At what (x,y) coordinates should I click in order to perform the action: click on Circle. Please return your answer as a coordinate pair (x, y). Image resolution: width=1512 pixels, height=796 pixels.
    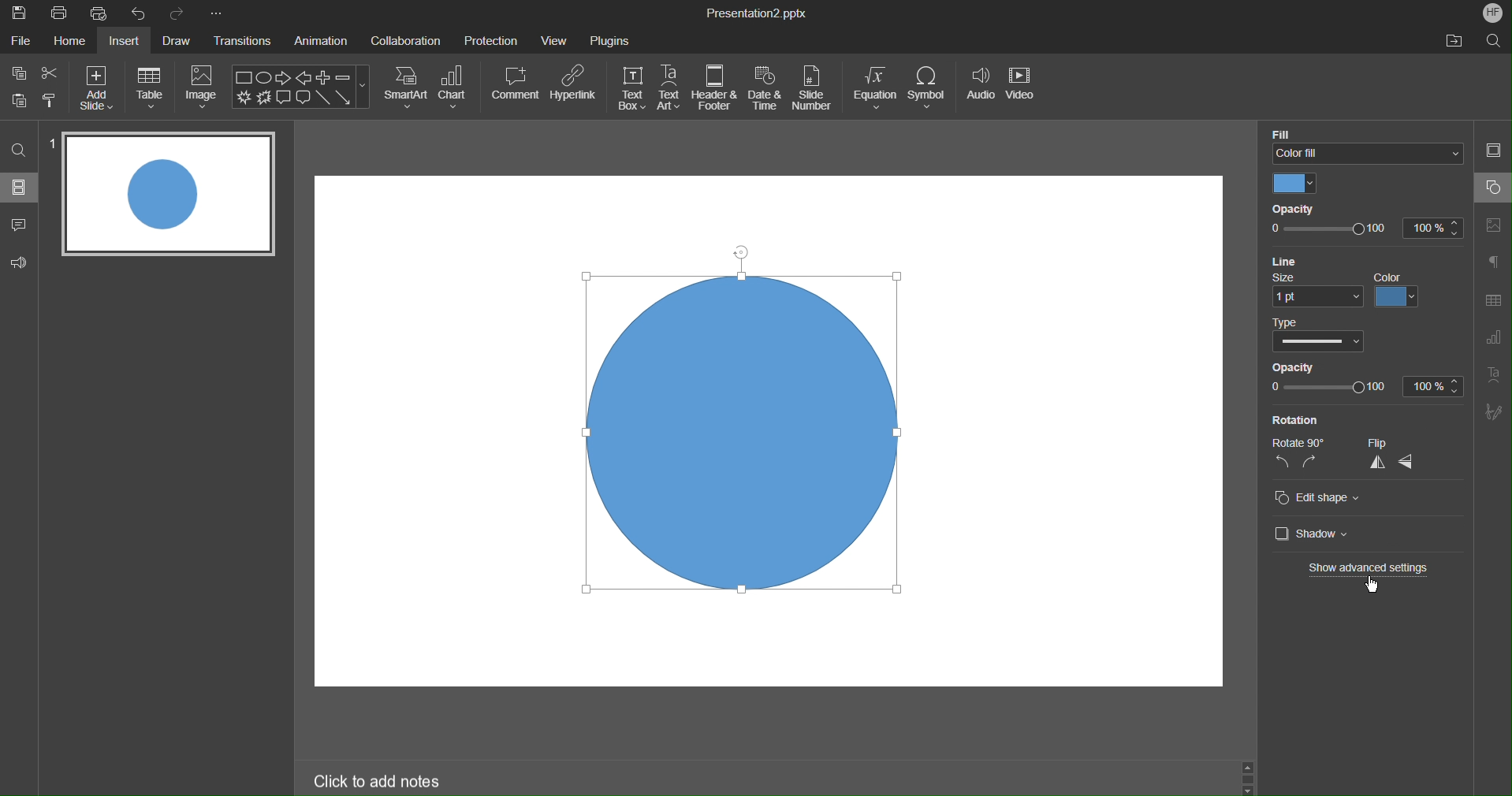
    Looking at the image, I should click on (748, 430).